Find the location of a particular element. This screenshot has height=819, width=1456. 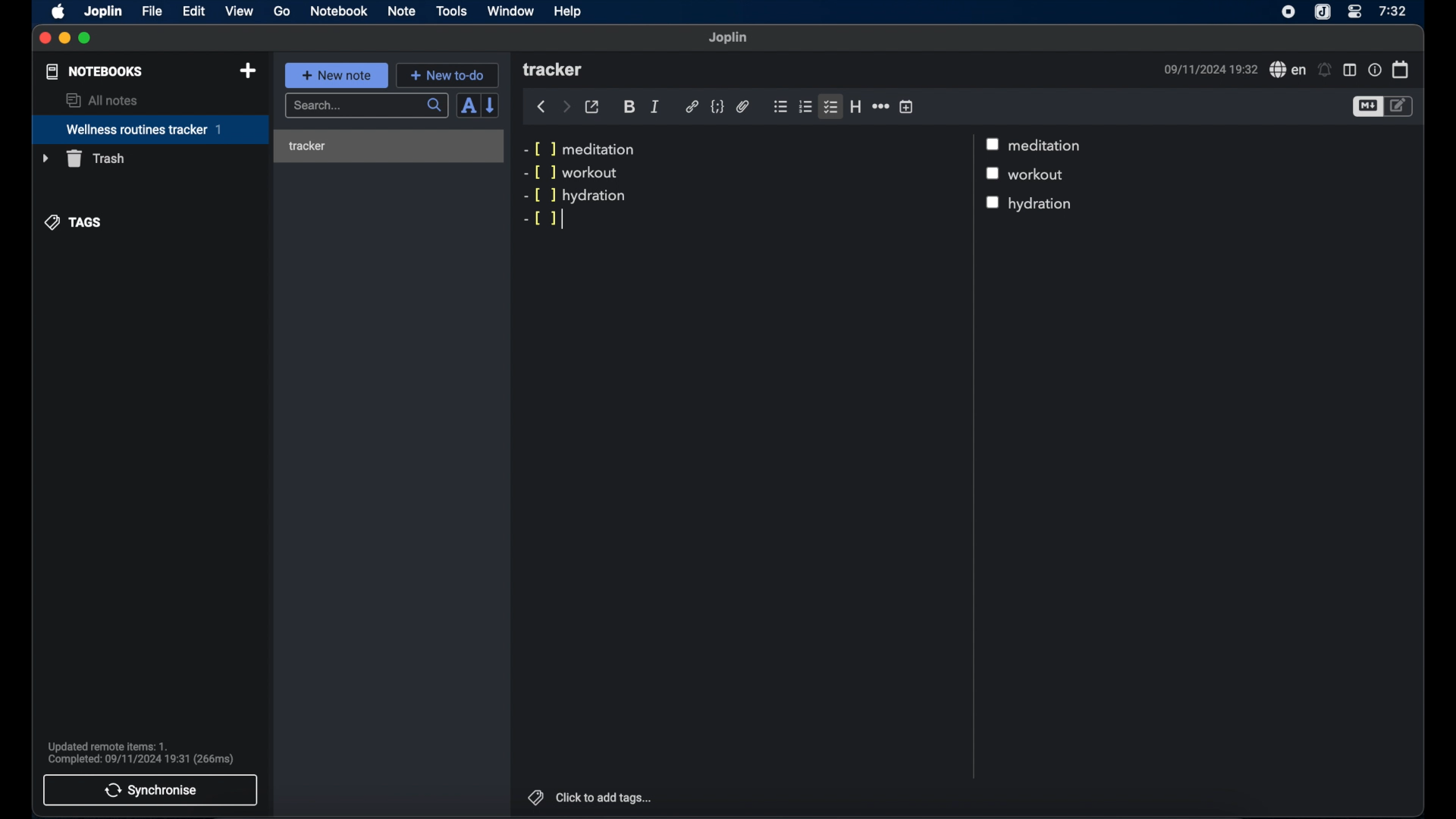

maximize is located at coordinates (86, 39).